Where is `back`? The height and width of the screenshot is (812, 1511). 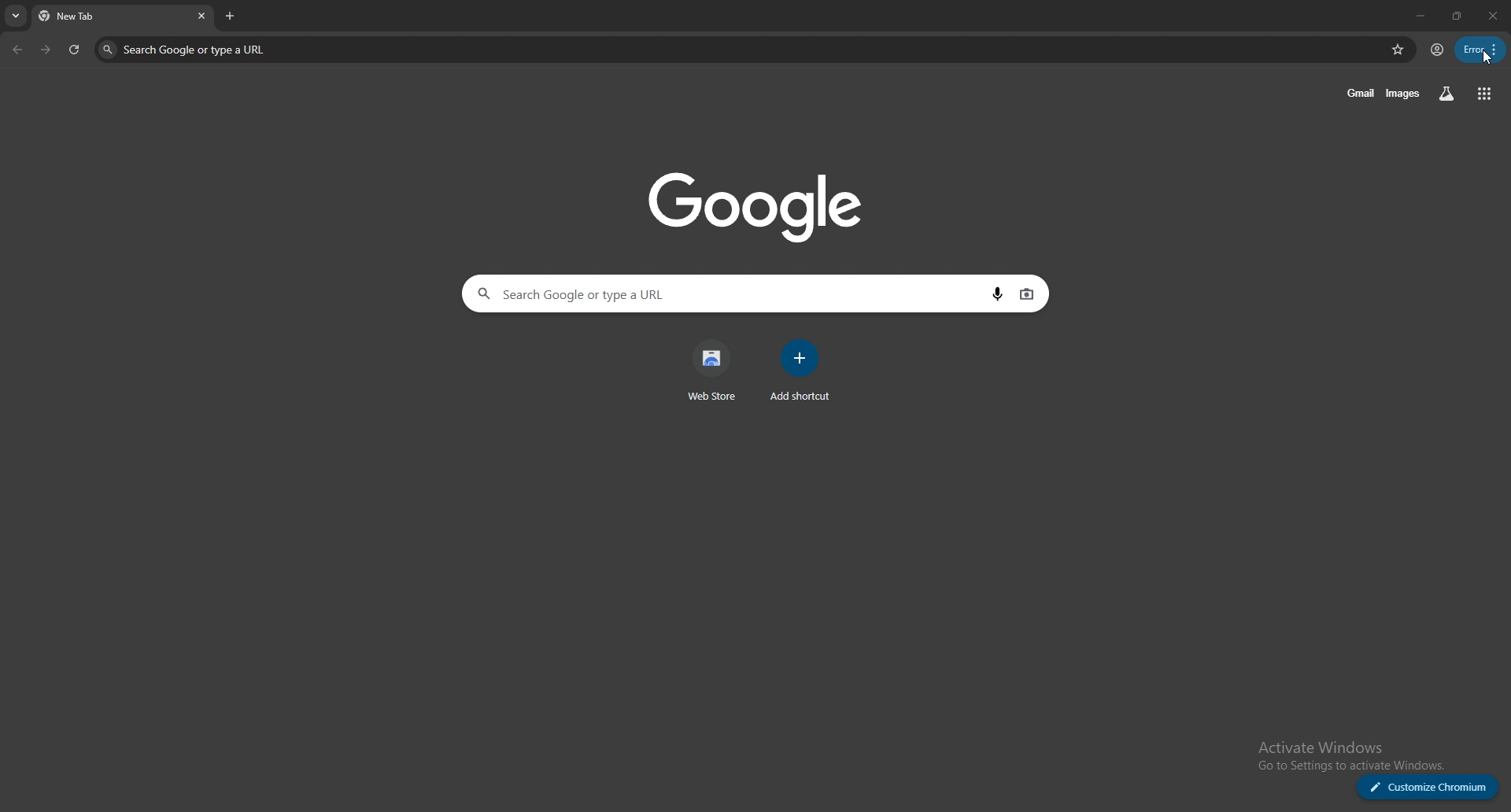 back is located at coordinates (17, 50).